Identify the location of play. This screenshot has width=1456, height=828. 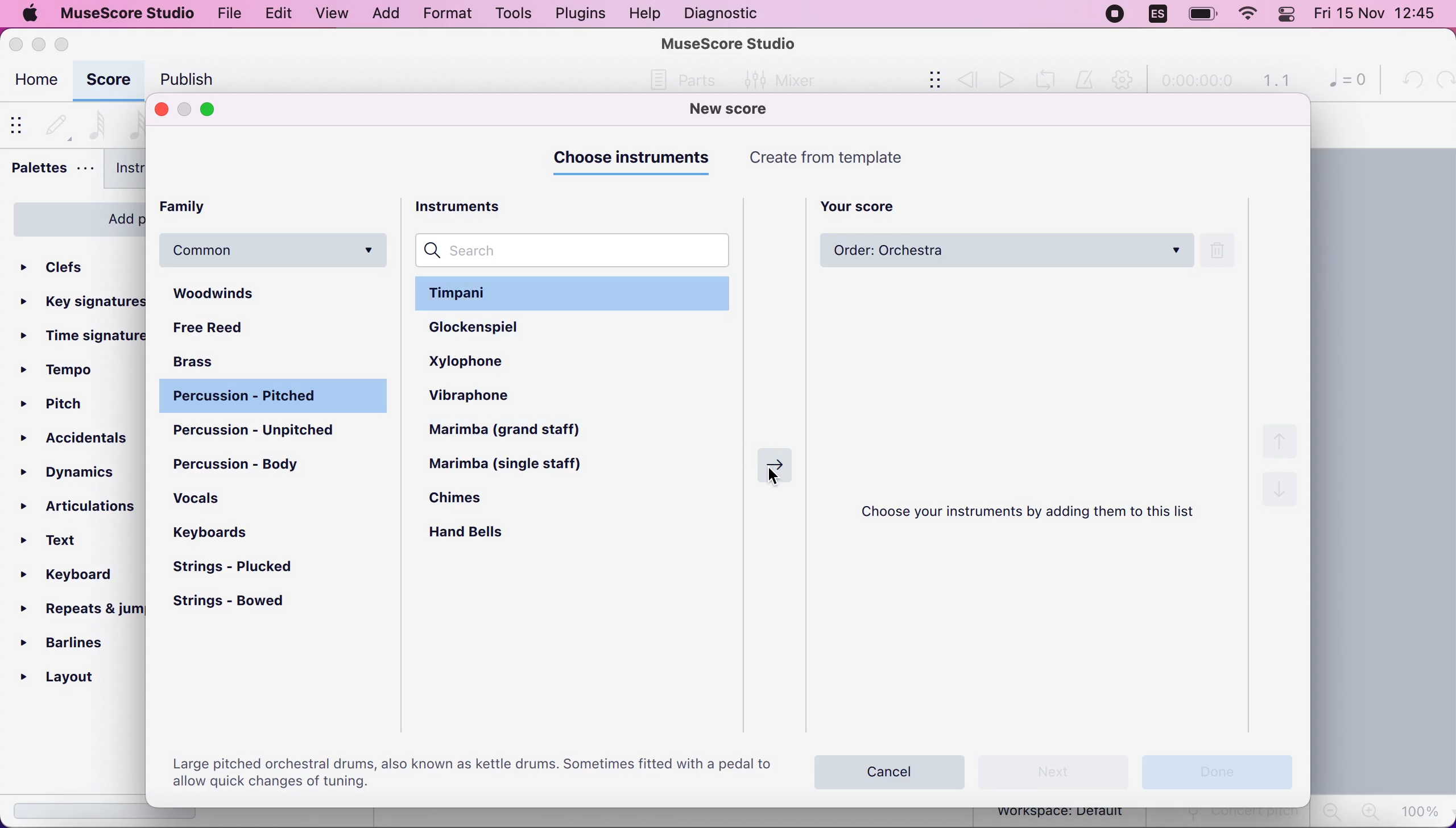
(1004, 80).